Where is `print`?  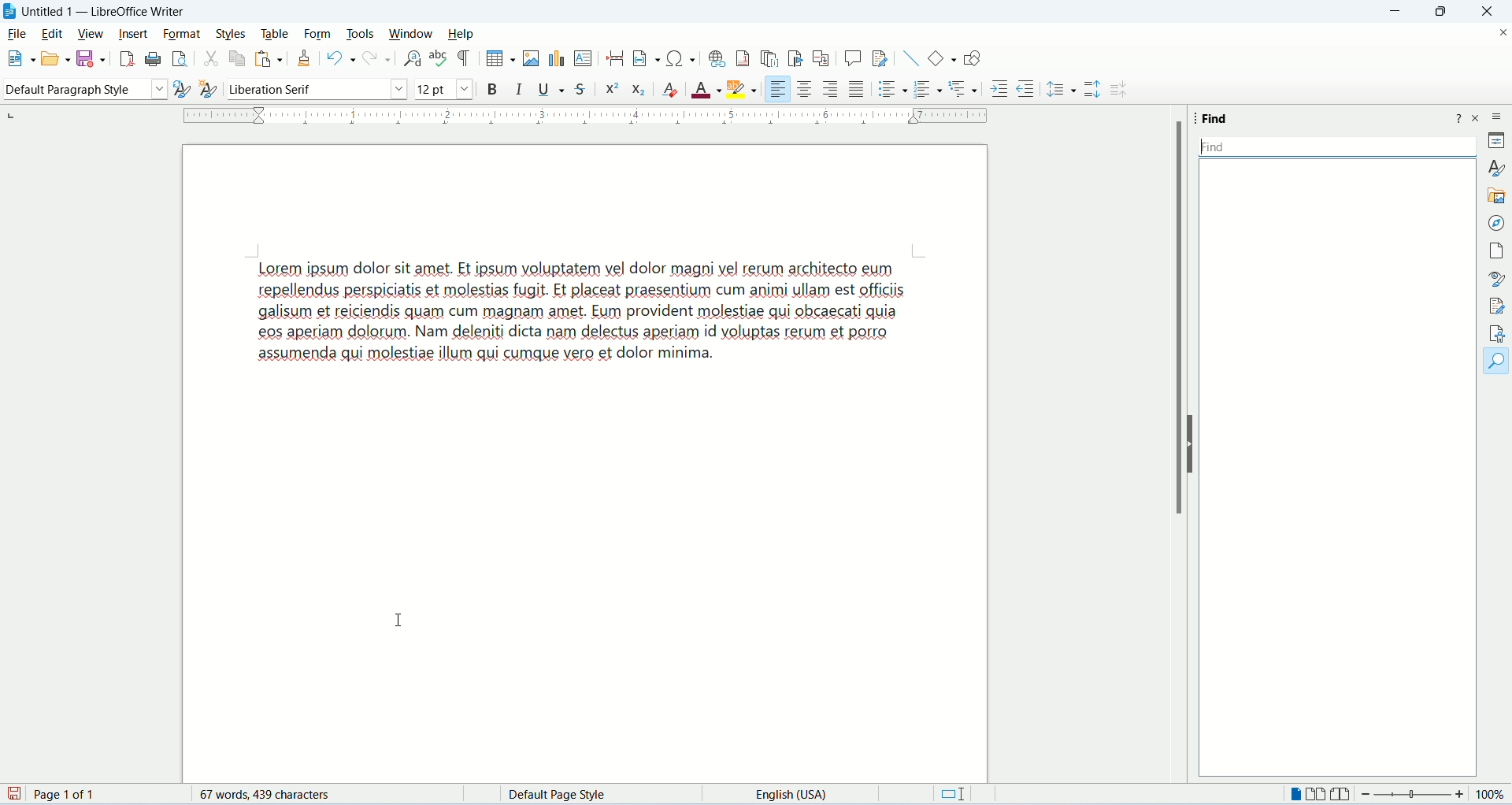 print is located at coordinates (152, 59).